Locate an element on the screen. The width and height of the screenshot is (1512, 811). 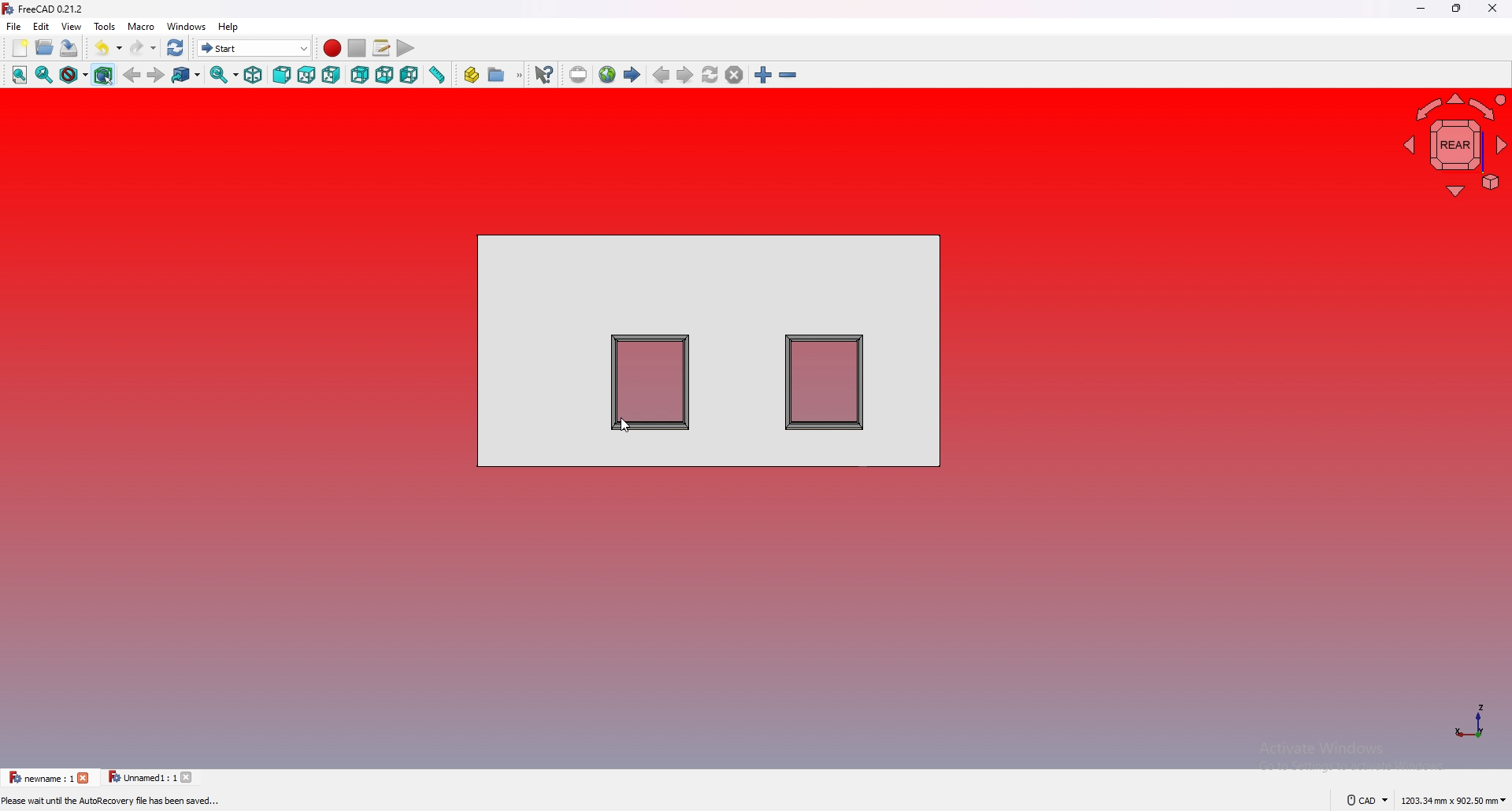
undo is located at coordinates (109, 47).